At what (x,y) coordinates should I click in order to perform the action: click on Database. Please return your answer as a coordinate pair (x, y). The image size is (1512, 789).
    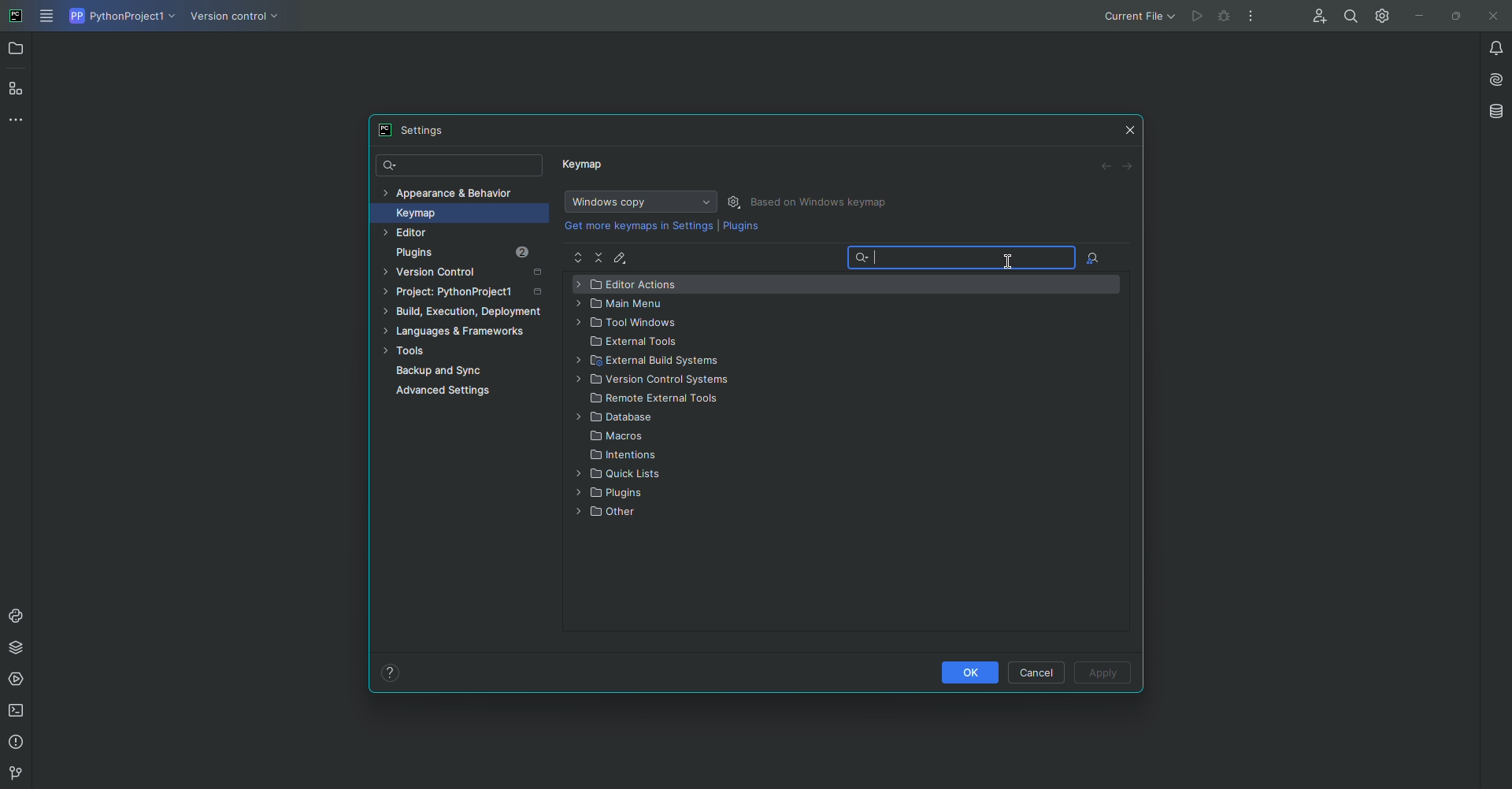
    Looking at the image, I should click on (617, 418).